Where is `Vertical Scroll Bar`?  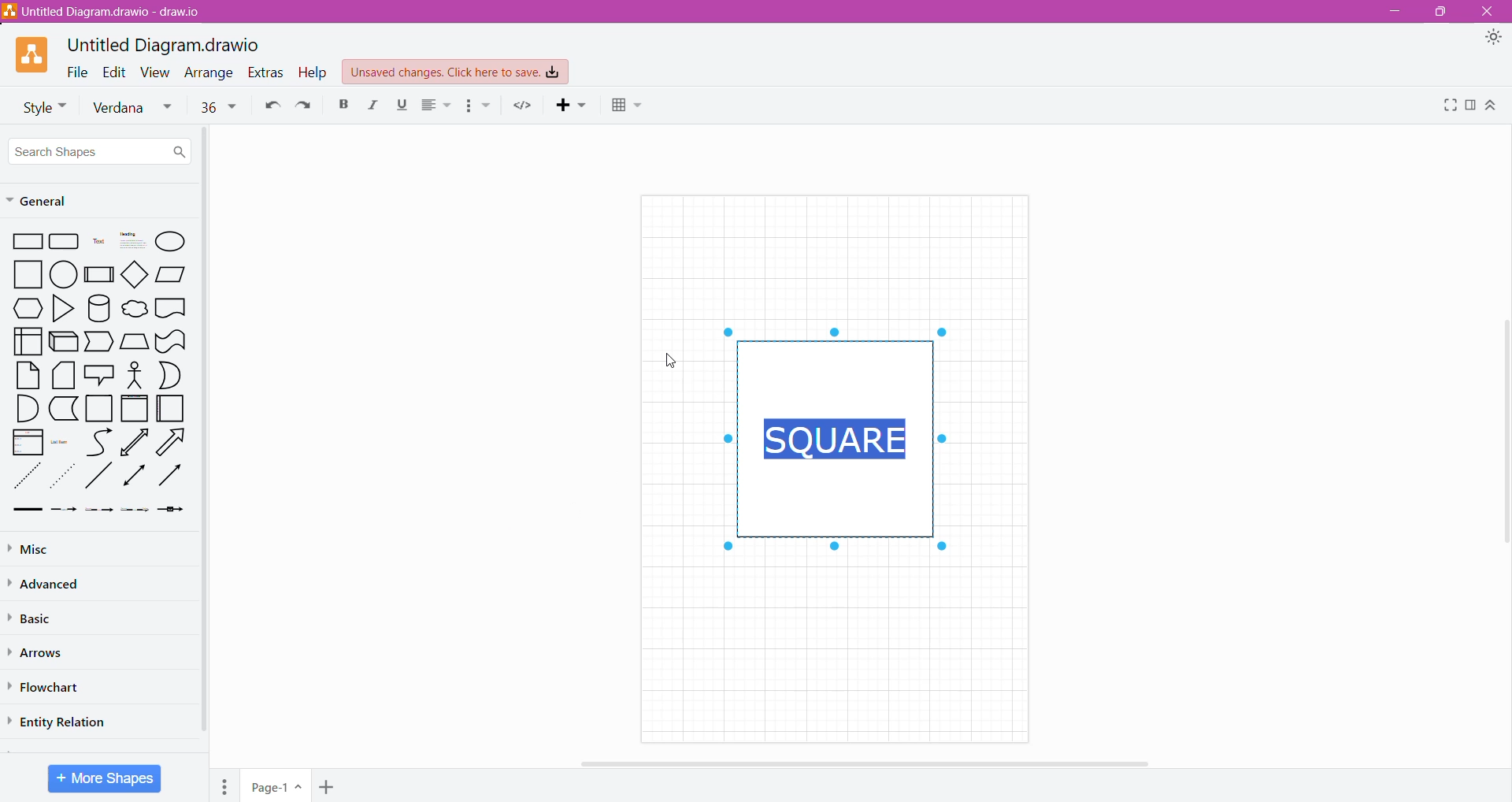 Vertical Scroll Bar is located at coordinates (1503, 436).